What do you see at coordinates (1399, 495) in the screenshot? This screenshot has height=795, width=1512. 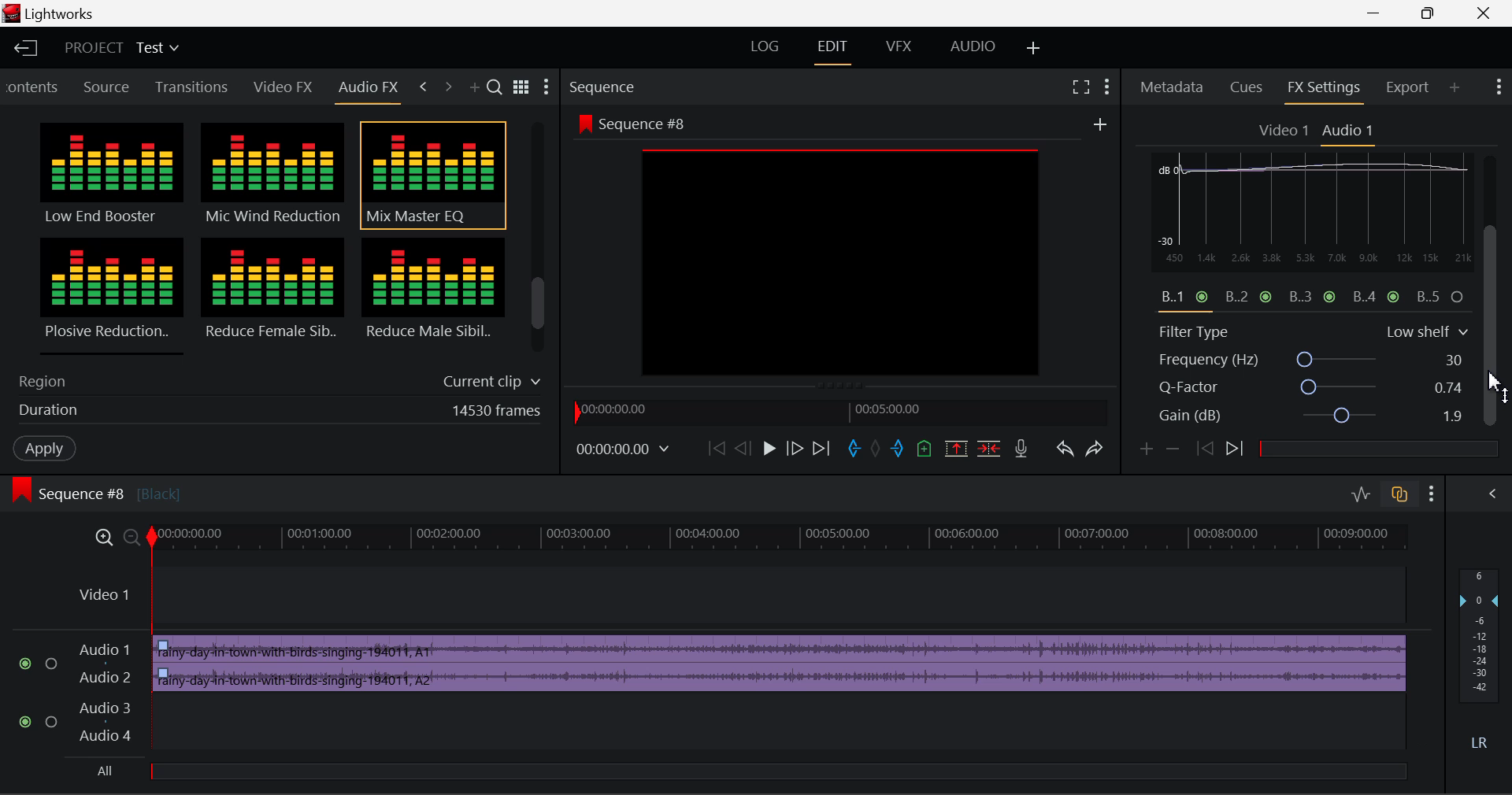 I see `Toggle Auto Track Sync` at bounding box center [1399, 495].